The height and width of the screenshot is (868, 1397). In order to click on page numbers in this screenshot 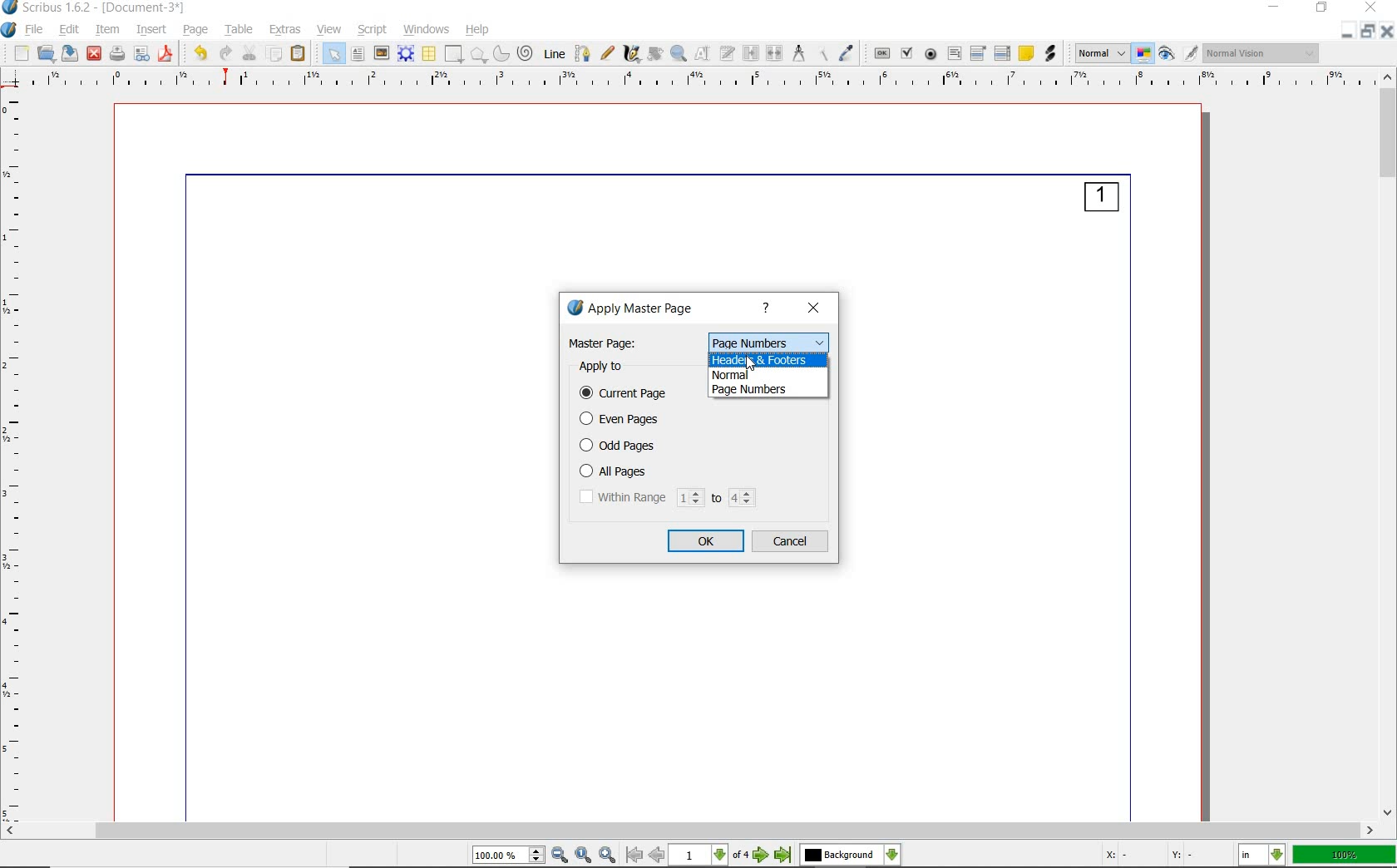, I will do `click(769, 390)`.